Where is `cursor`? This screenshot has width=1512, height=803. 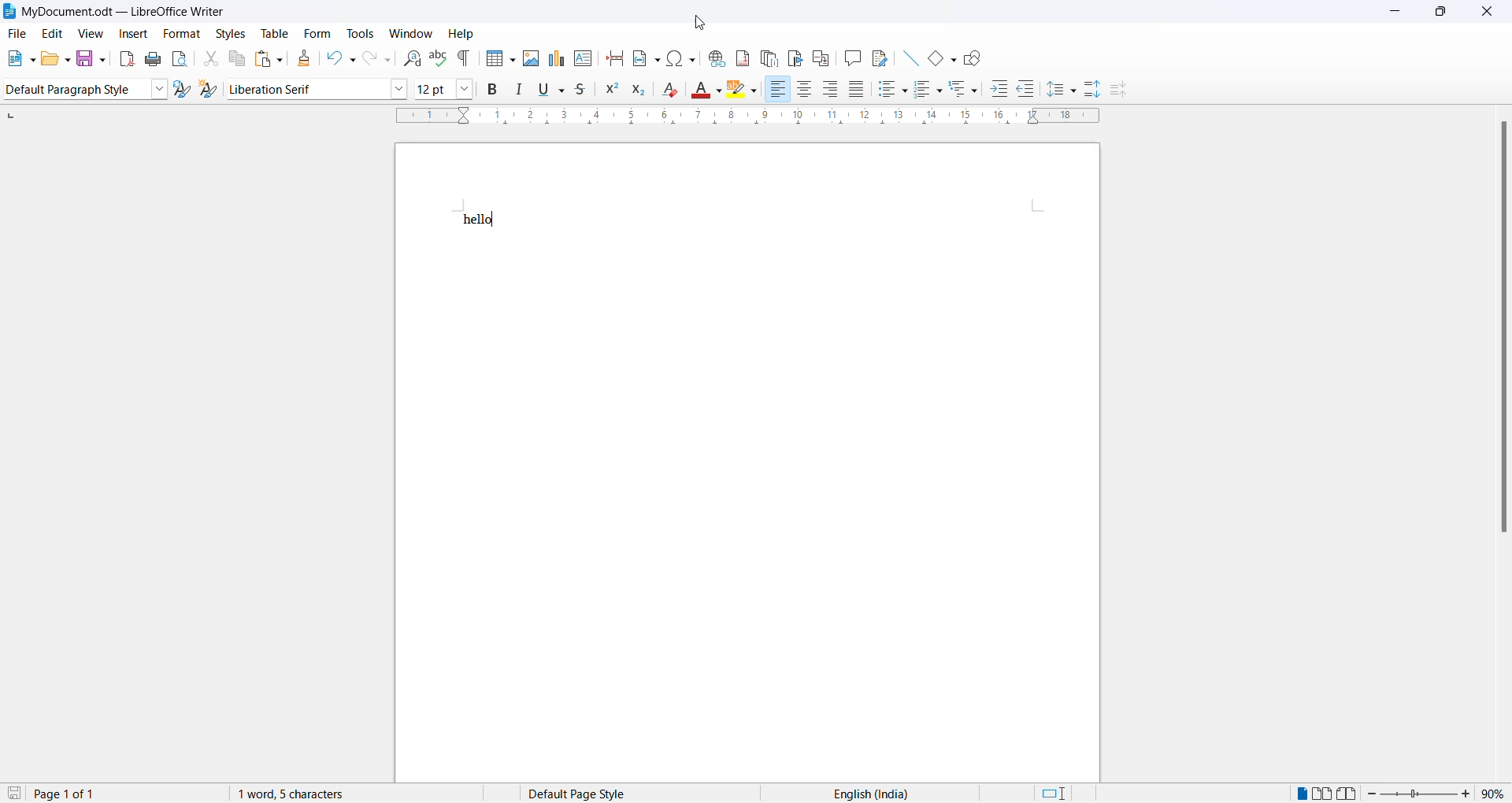 cursor is located at coordinates (700, 24).